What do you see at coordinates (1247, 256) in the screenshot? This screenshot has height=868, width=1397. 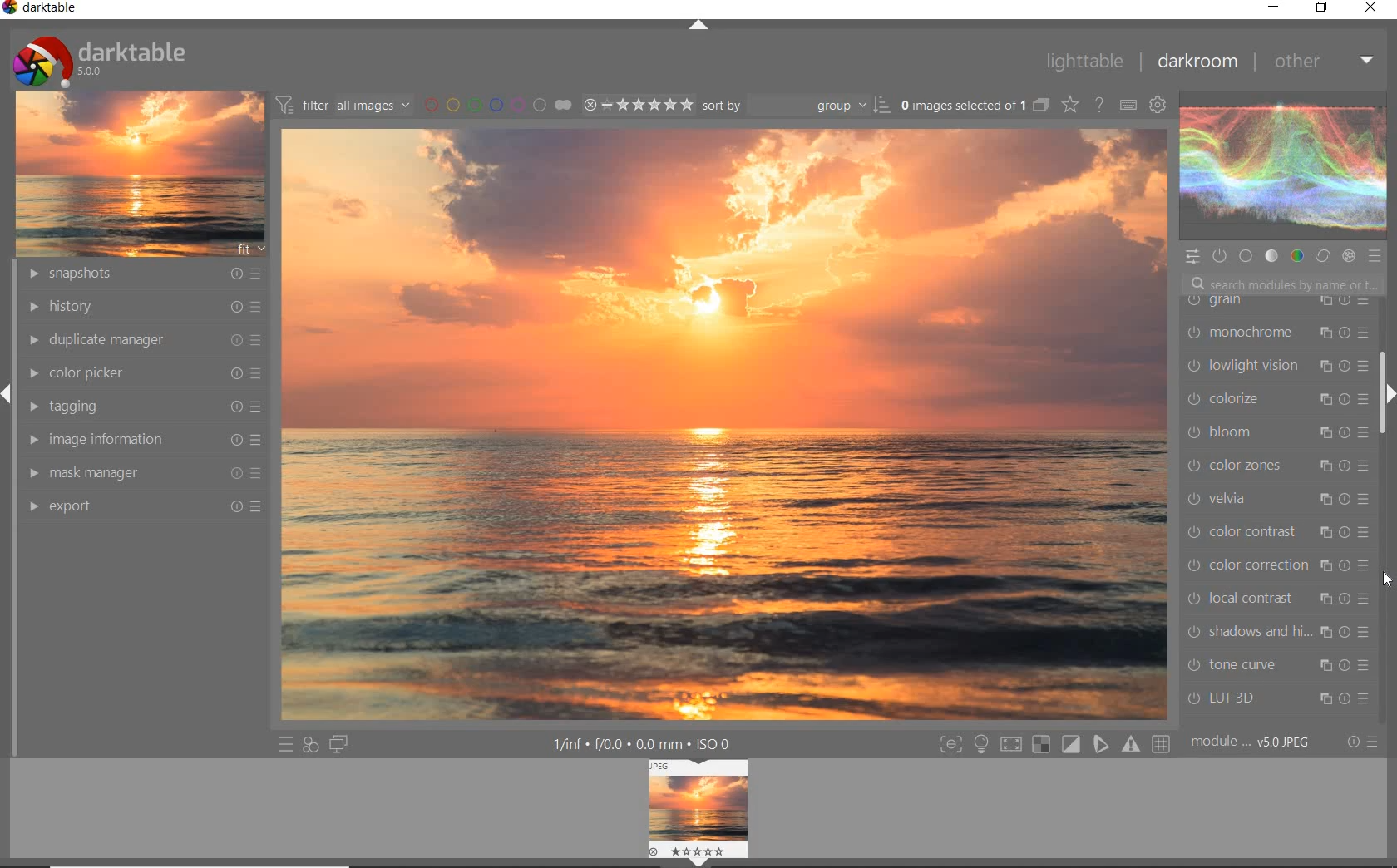 I see `BASE` at bounding box center [1247, 256].